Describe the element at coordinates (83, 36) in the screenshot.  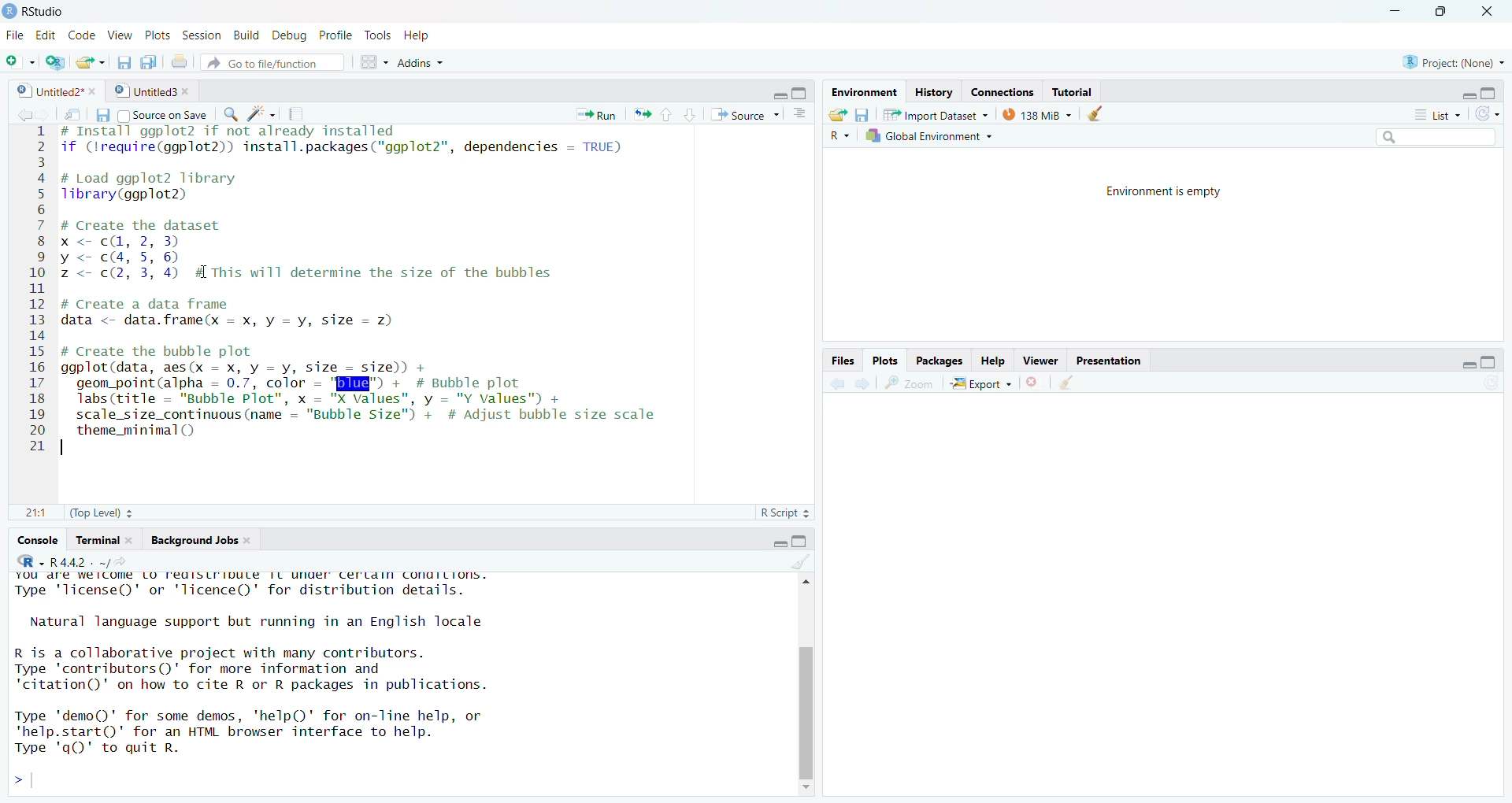
I see `Code` at that location.